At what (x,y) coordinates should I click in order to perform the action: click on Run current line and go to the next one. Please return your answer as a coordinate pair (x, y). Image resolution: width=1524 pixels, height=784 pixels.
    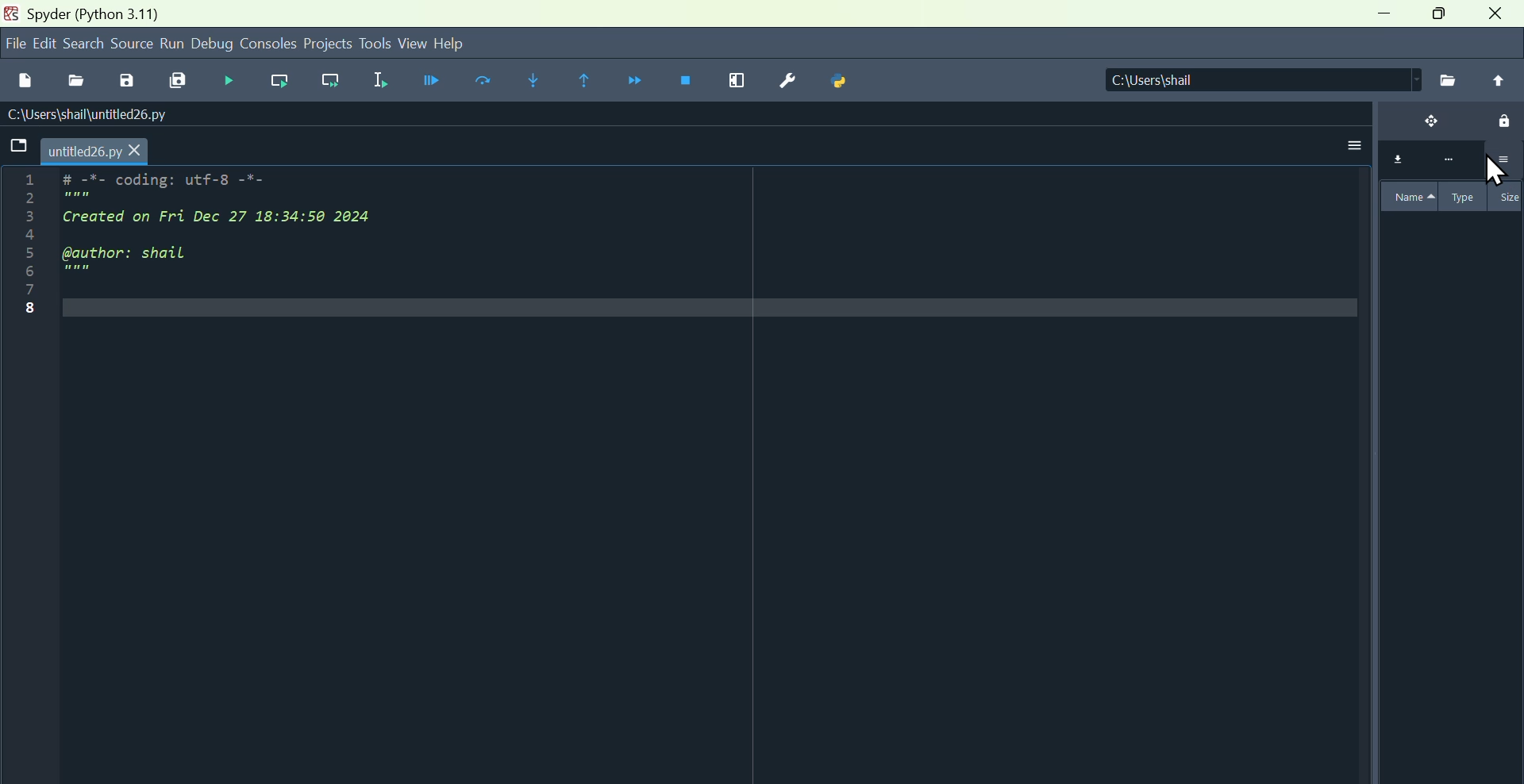
    Looking at the image, I should click on (333, 82).